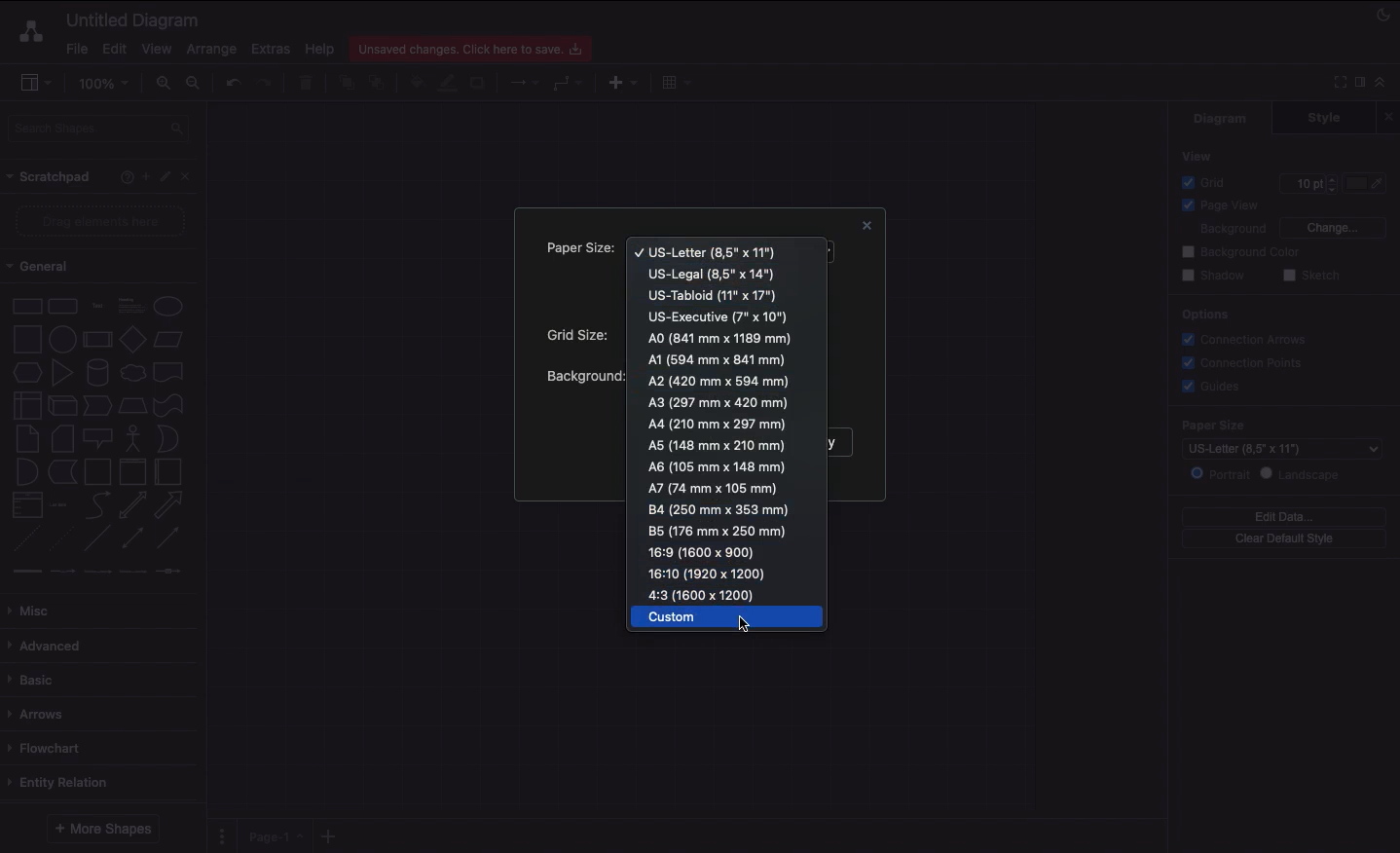  What do you see at coordinates (100, 131) in the screenshot?
I see `Search shapes` at bounding box center [100, 131].